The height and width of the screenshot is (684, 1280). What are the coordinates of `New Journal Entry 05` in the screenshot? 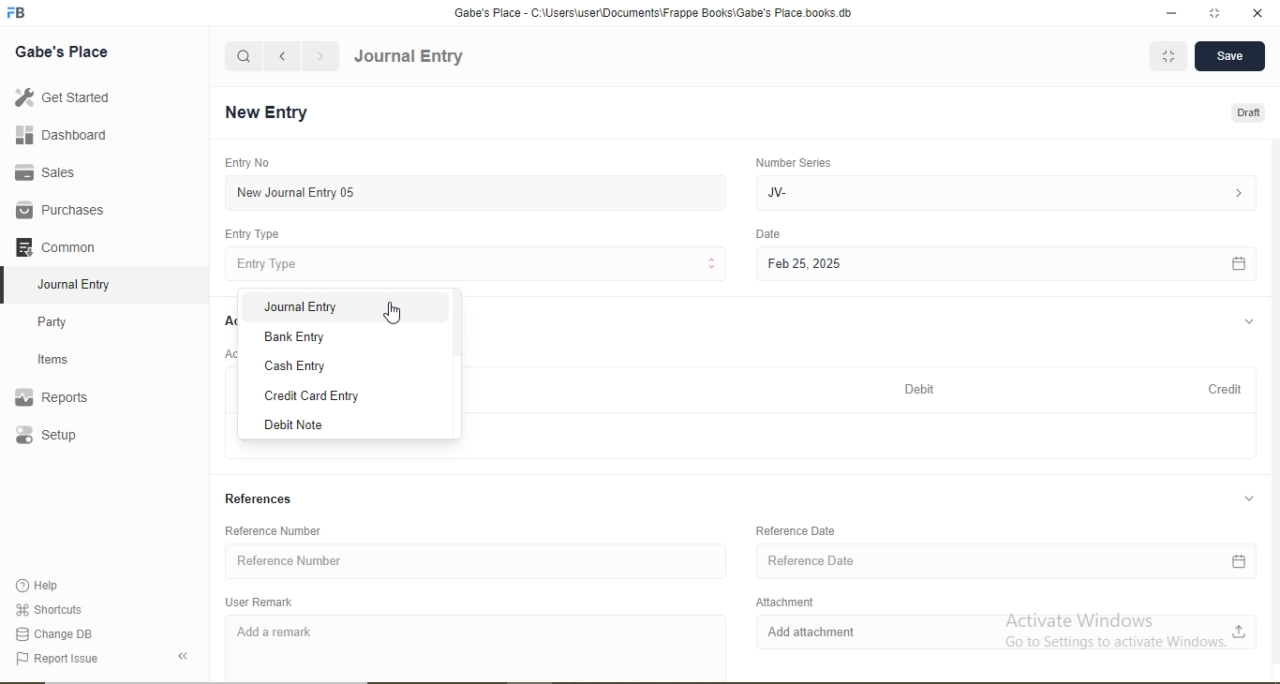 It's located at (478, 192).